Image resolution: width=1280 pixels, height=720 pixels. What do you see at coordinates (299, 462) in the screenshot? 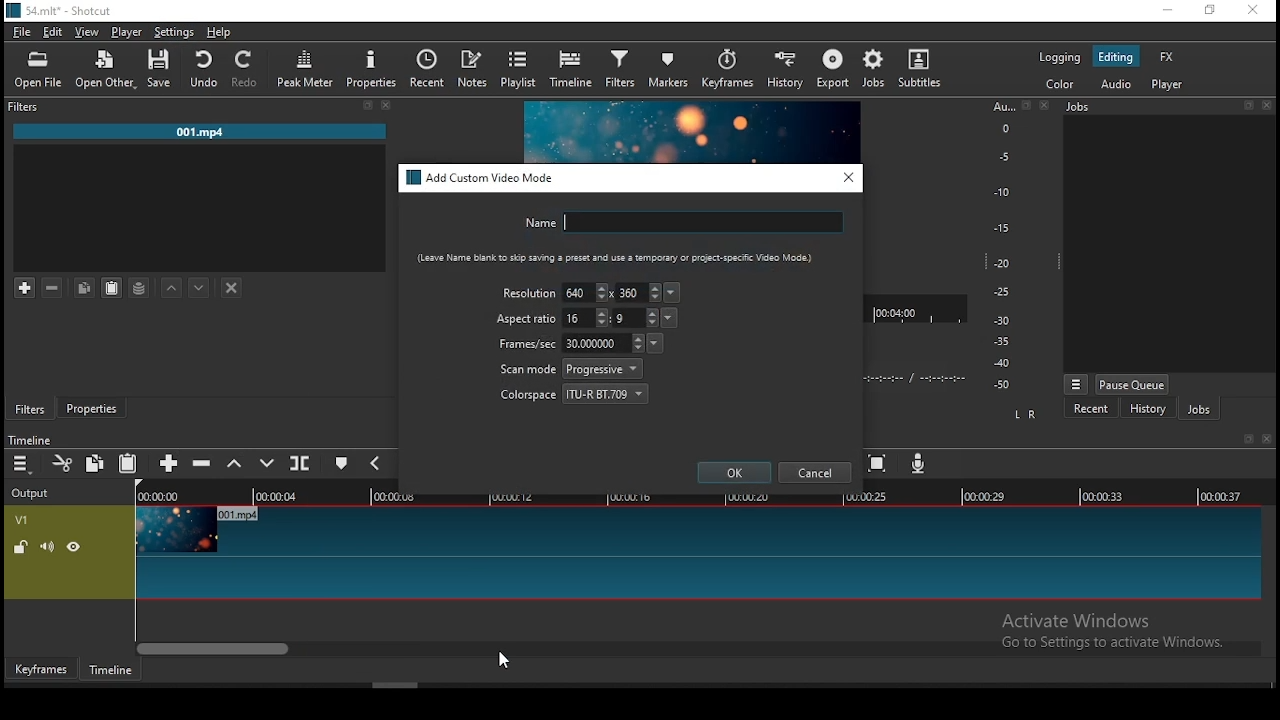
I see `split at playhead` at bounding box center [299, 462].